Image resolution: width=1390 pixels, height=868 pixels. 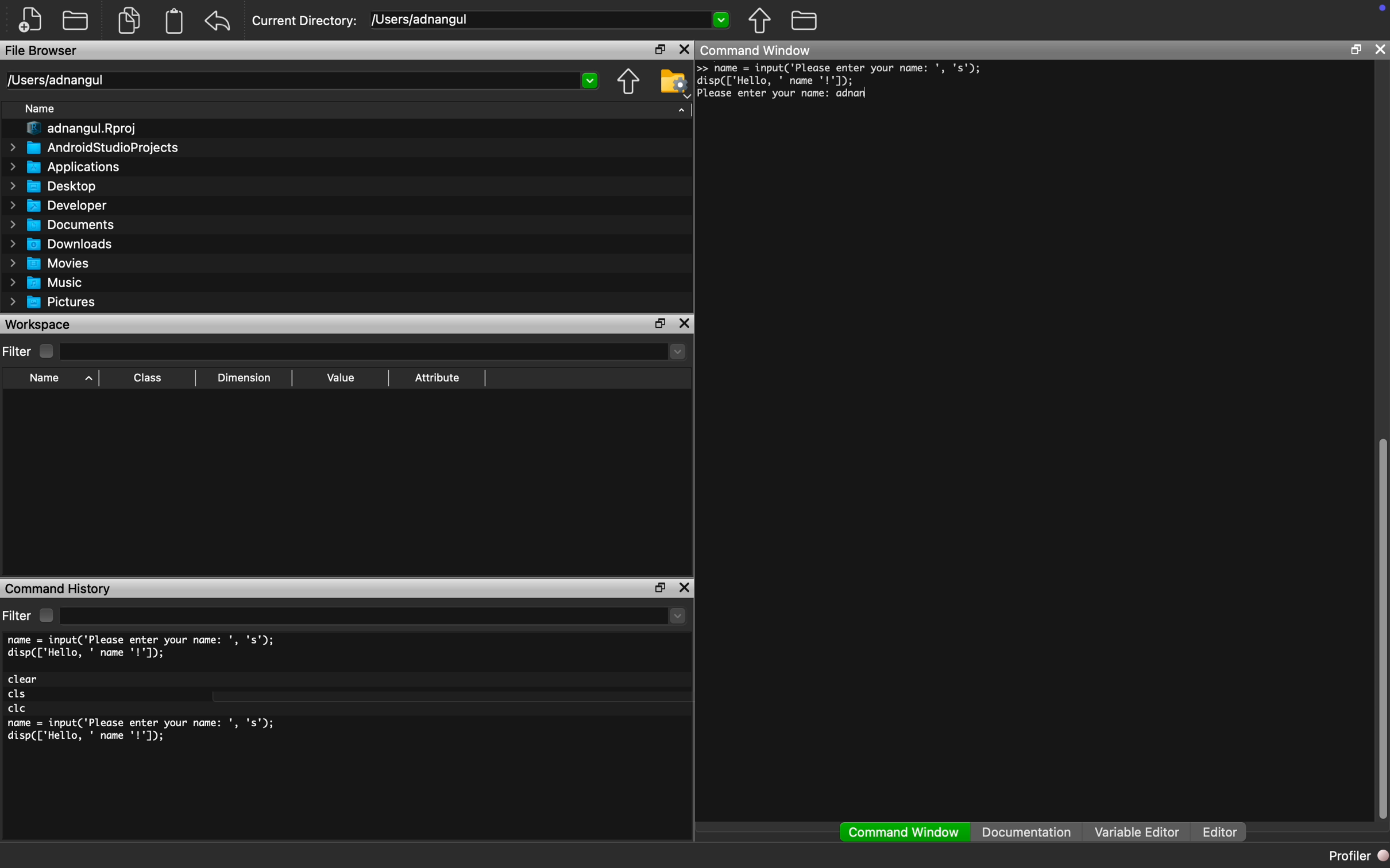 What do you see at coordinates (65, 224) in the screenshot?
I see `Documents` at bounding box center [65, 224].